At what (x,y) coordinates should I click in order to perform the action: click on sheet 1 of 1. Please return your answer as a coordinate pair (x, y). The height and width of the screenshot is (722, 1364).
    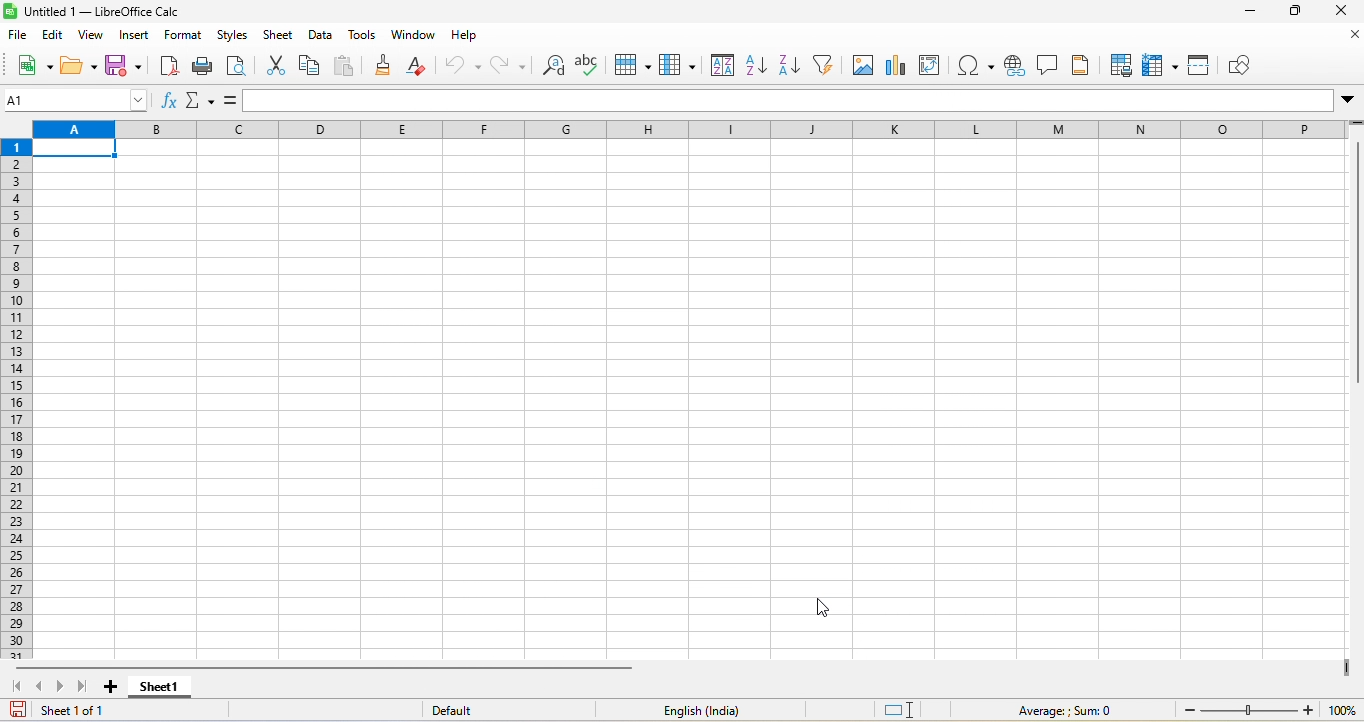
    Looking at the image, I should click on (68, 708).